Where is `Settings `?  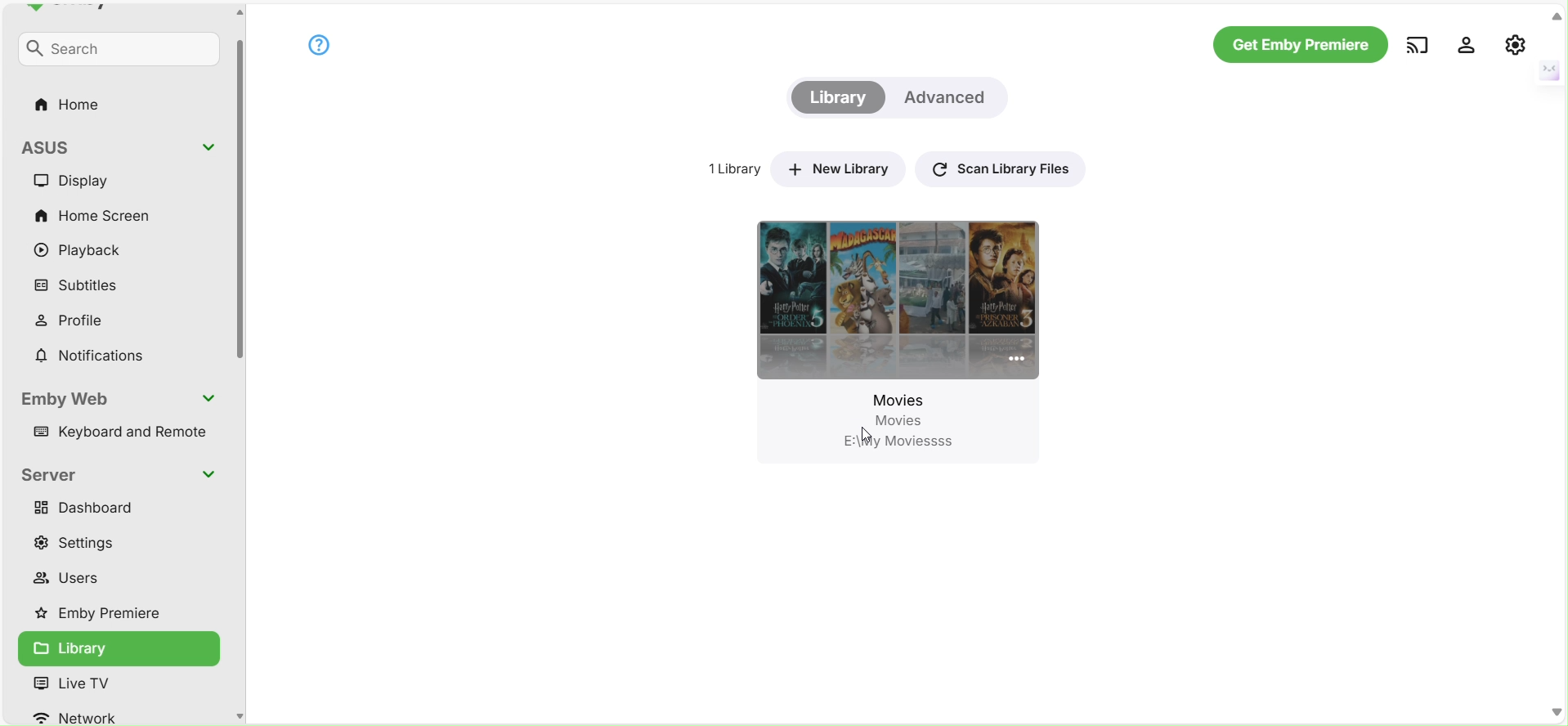 Settings  is located at coordinates (1467, 43).